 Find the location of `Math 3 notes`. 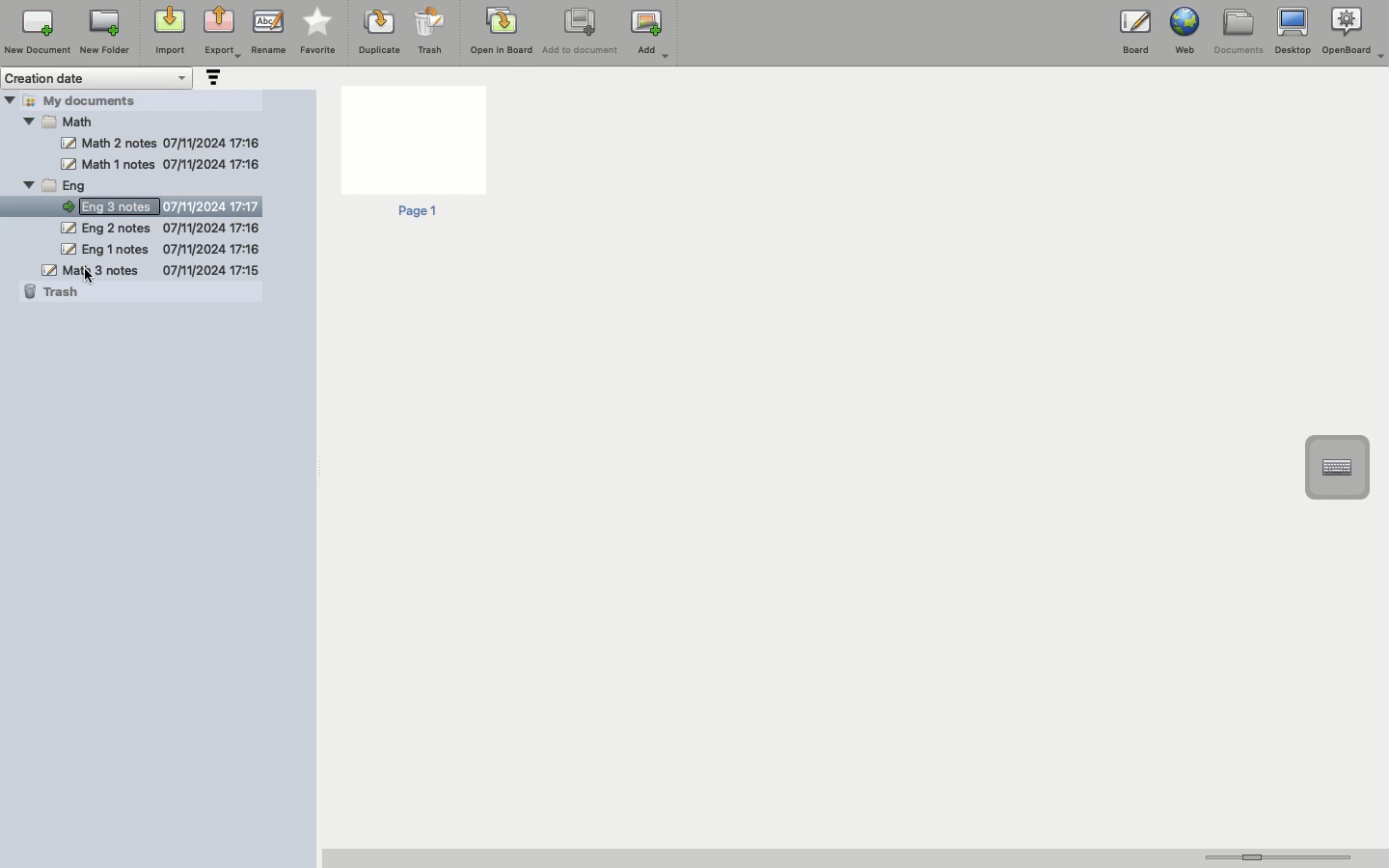

Math 3 notes is located at coordinates (150, 269).